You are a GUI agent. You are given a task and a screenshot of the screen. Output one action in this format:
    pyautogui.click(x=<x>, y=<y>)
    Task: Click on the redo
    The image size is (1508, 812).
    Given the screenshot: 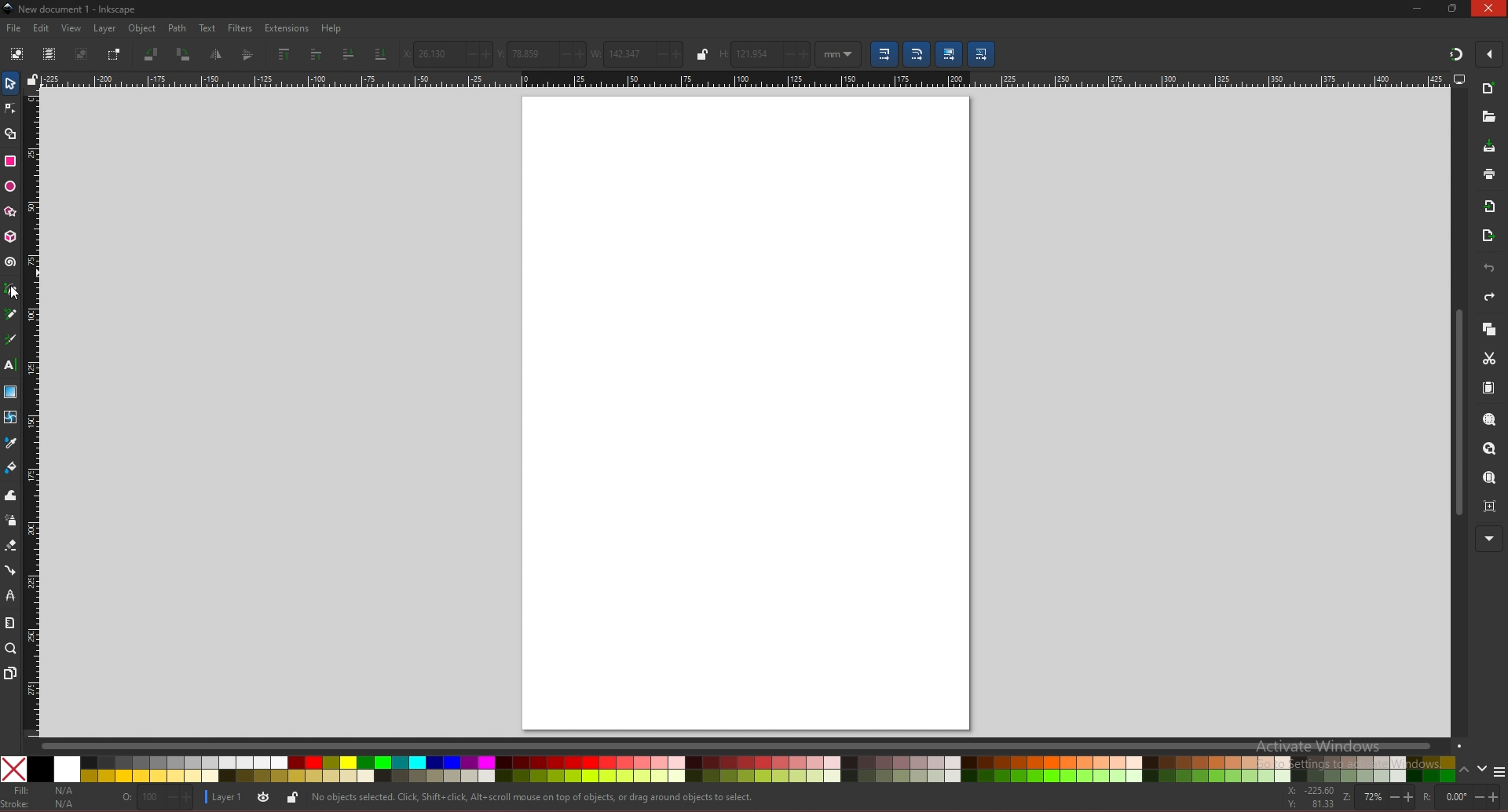 What is the action you would take?
    pyautogui.click(x=1489, y=297)
    